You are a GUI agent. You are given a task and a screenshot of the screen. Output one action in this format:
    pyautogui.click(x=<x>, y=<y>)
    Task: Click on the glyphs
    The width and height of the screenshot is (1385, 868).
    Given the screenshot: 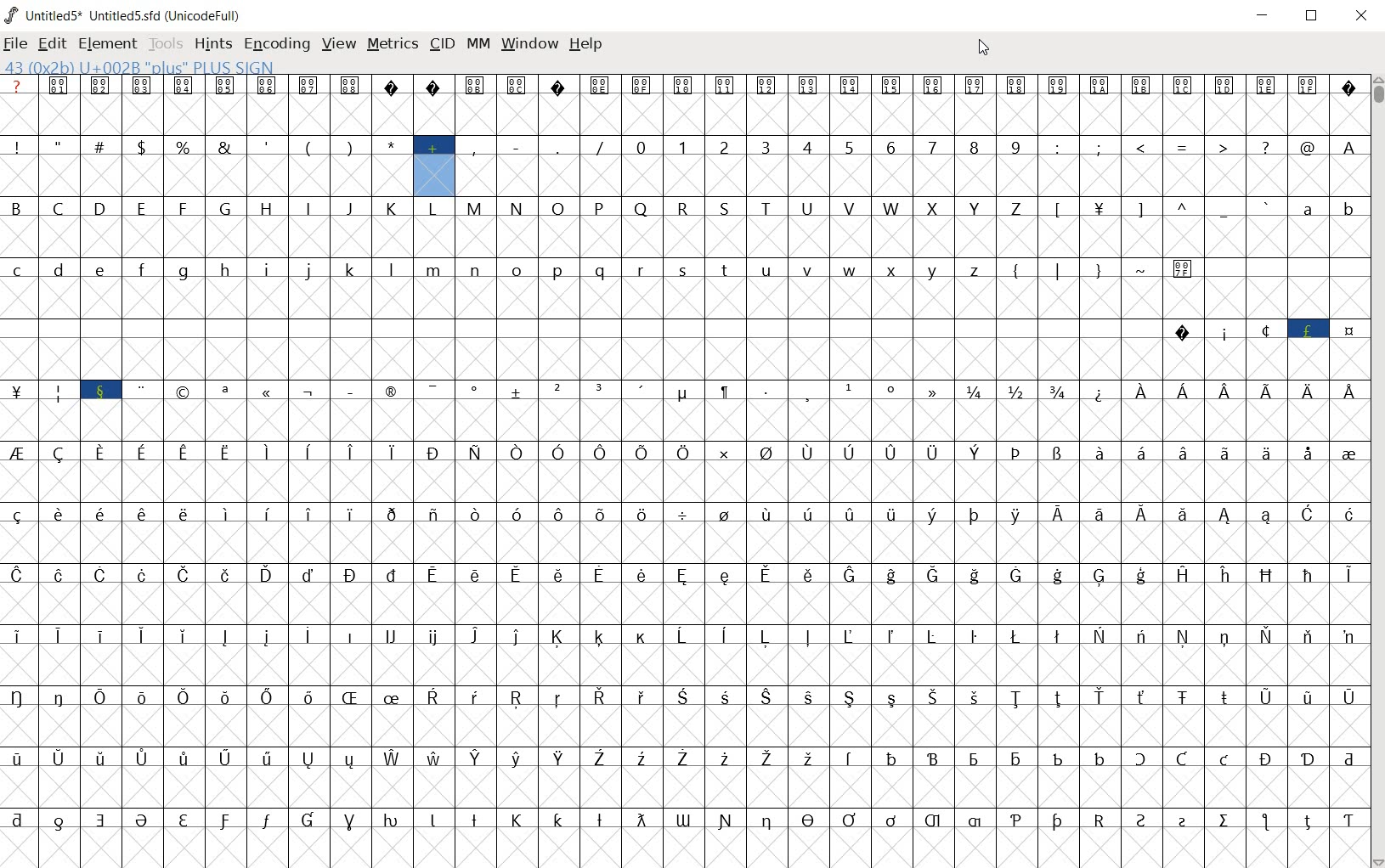 What is the action you would take?
    pyautogui.click(x=689, y=456)
    